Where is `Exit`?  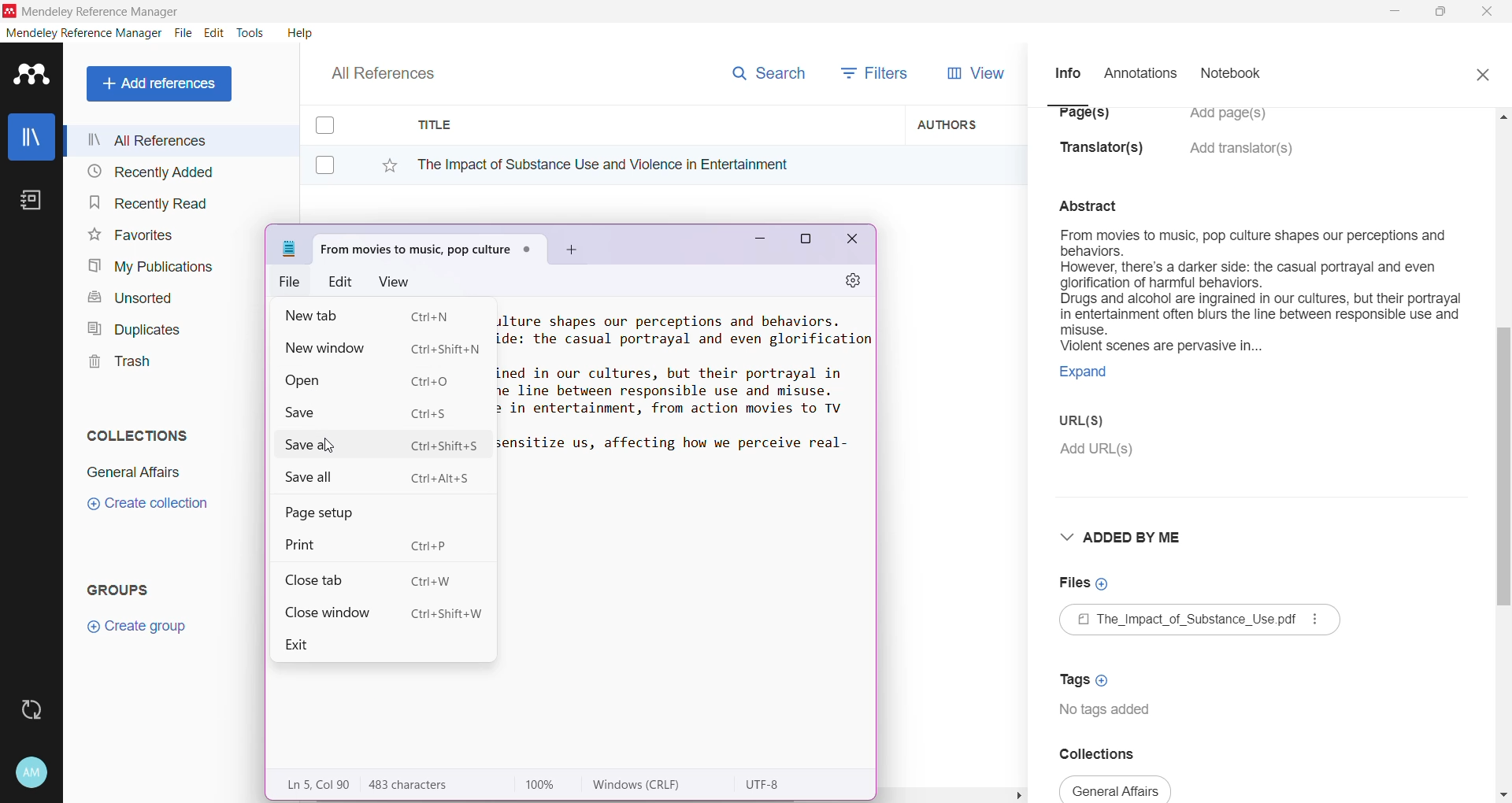
Exit is located at coordinates (313, 645).